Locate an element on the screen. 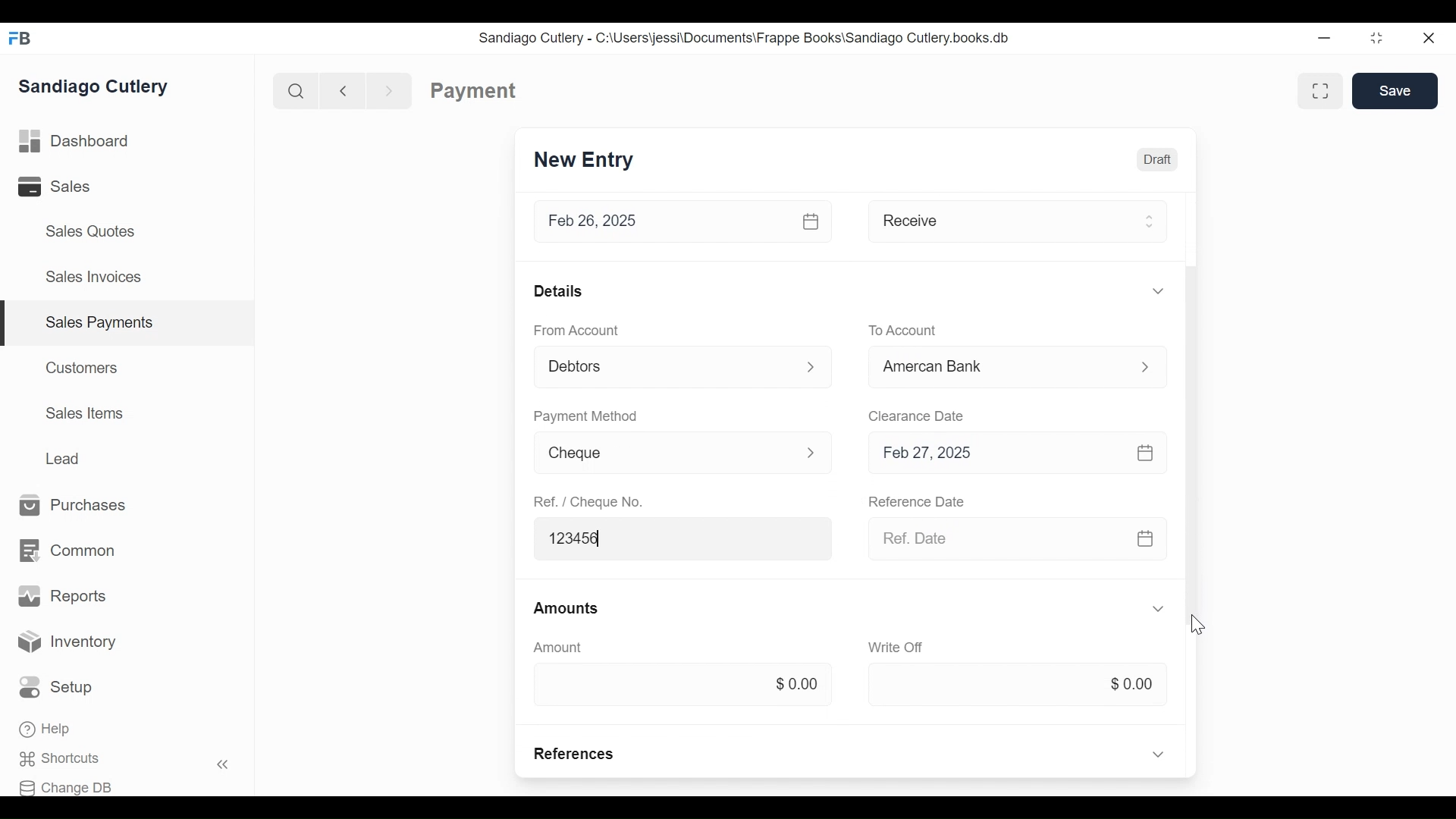 This screenshot has height=819, width=1456. Restore is located at coordinates (1376, 39).